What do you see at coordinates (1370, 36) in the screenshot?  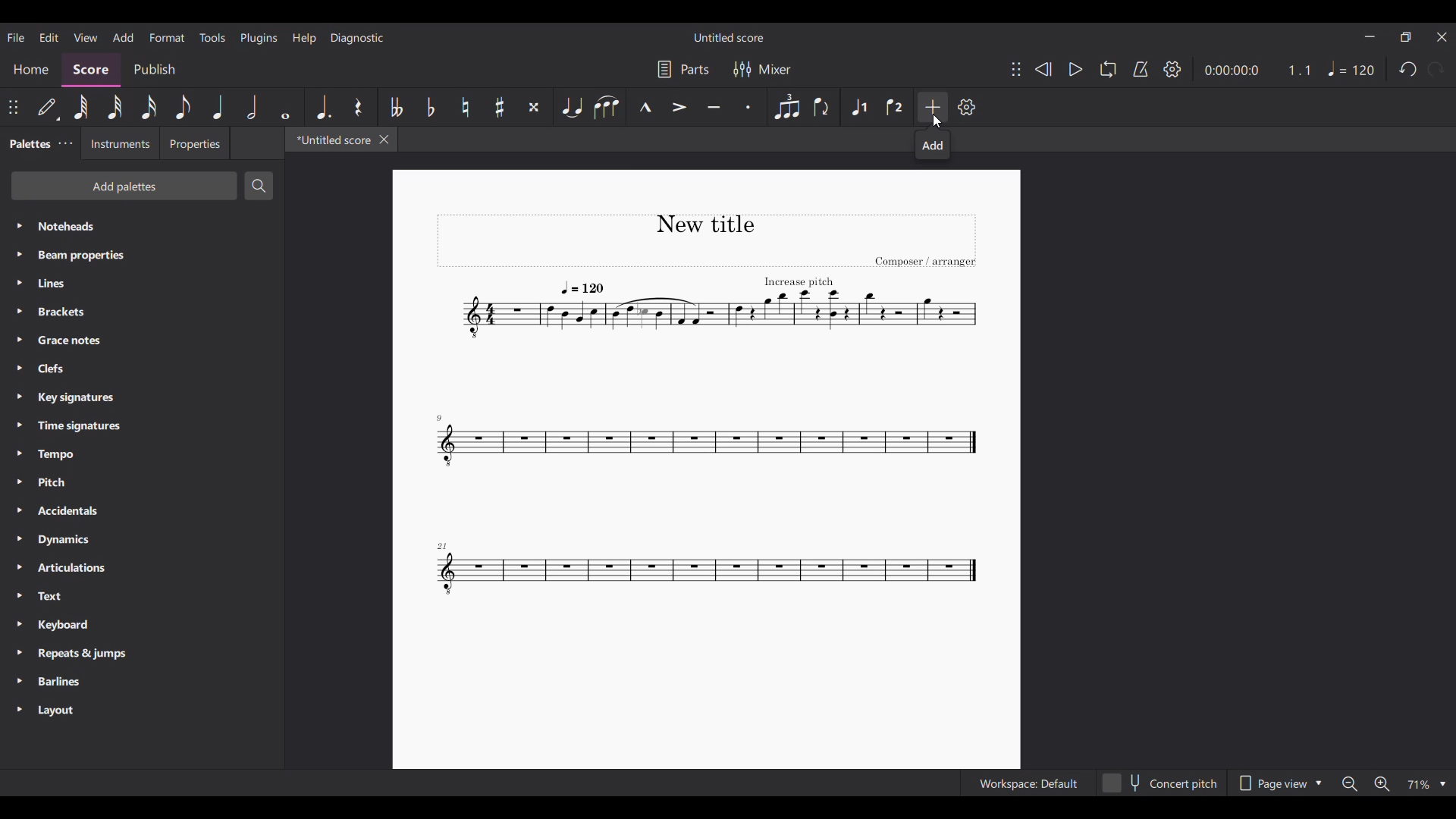 I see `Minimize` at bounding box center [1370, 36].